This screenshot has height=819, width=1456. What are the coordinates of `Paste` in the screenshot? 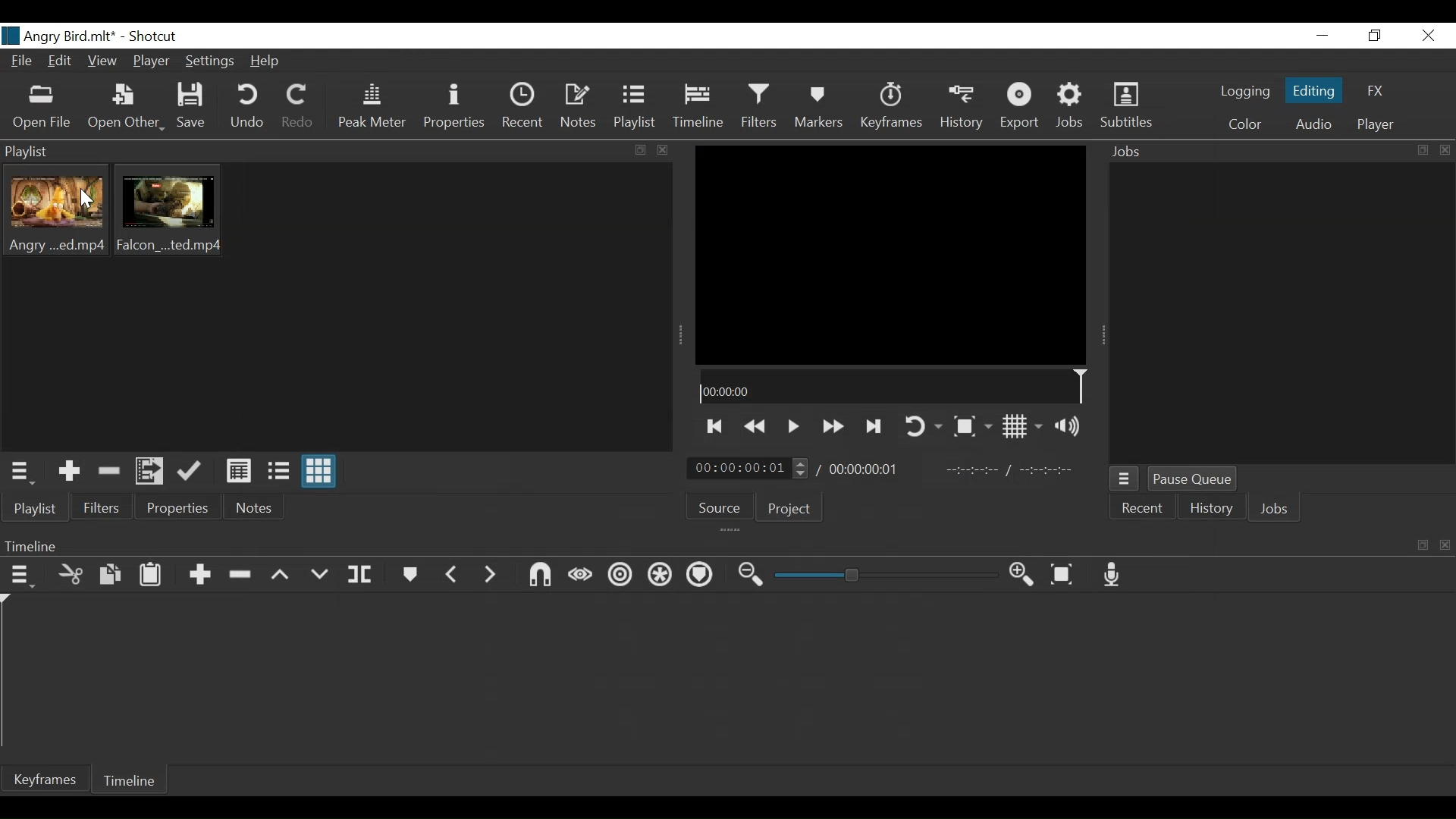 It's located at (154, 576).